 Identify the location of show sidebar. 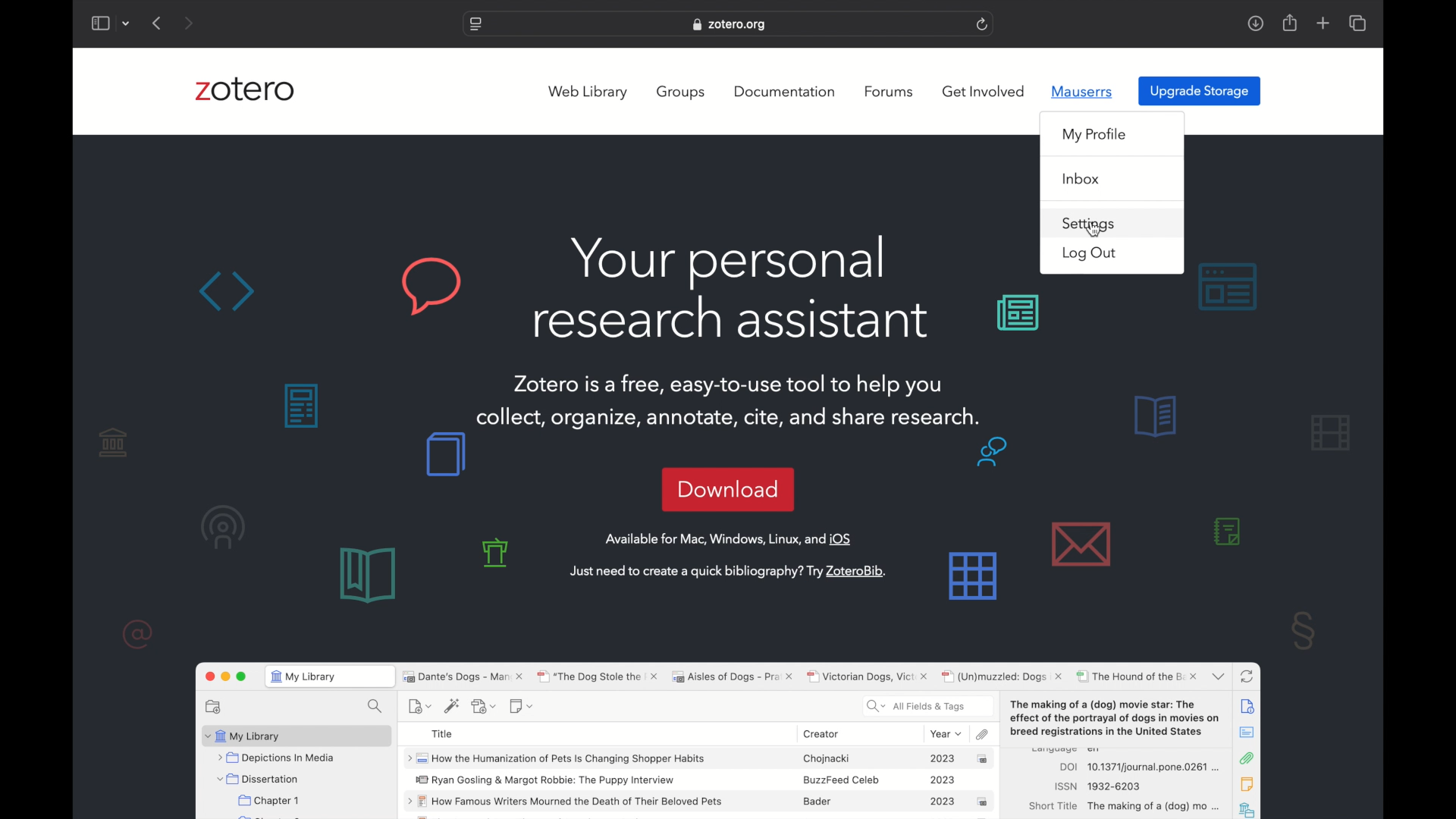
(99, 24).